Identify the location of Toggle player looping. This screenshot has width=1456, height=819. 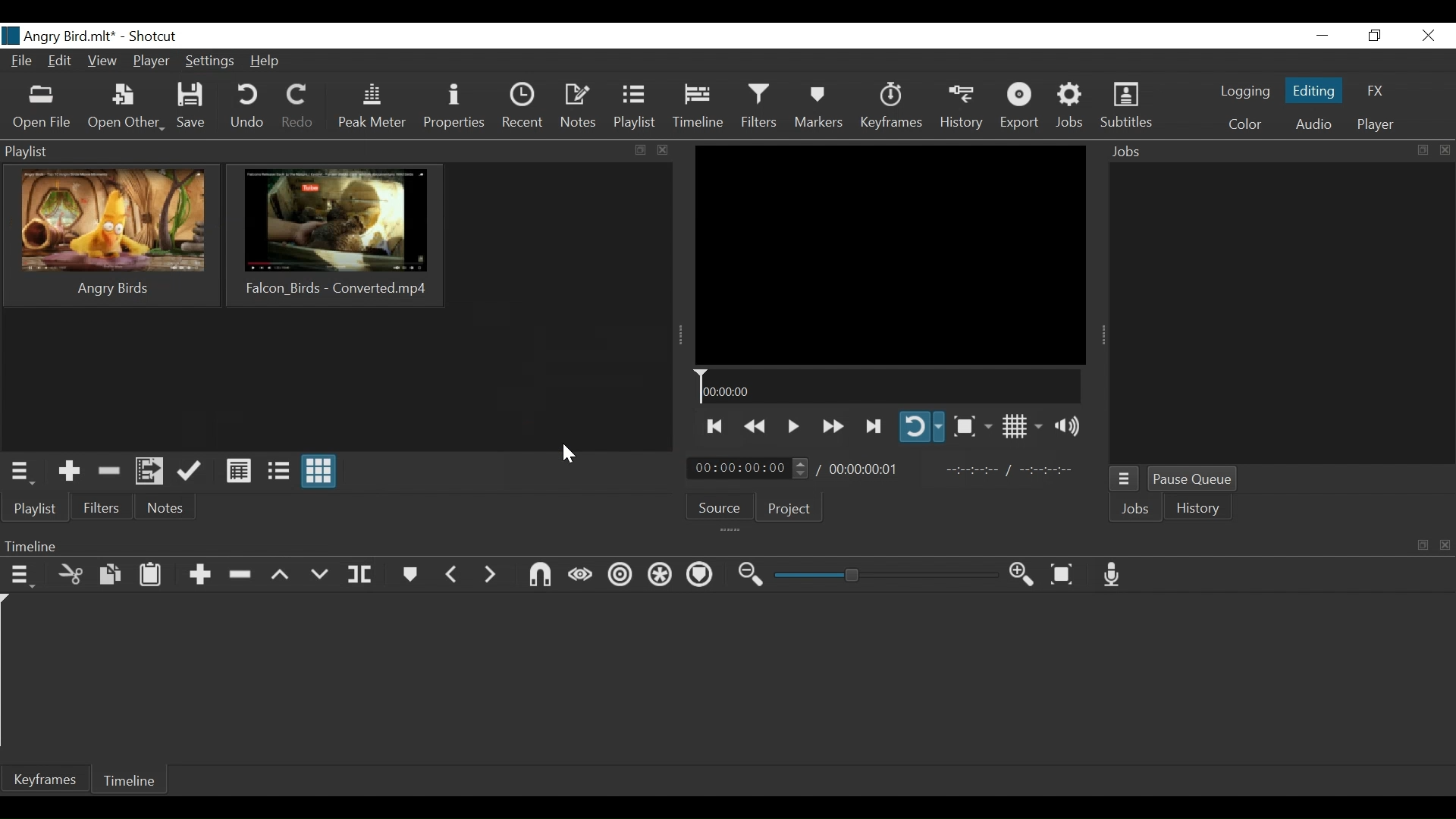
(922, 427).